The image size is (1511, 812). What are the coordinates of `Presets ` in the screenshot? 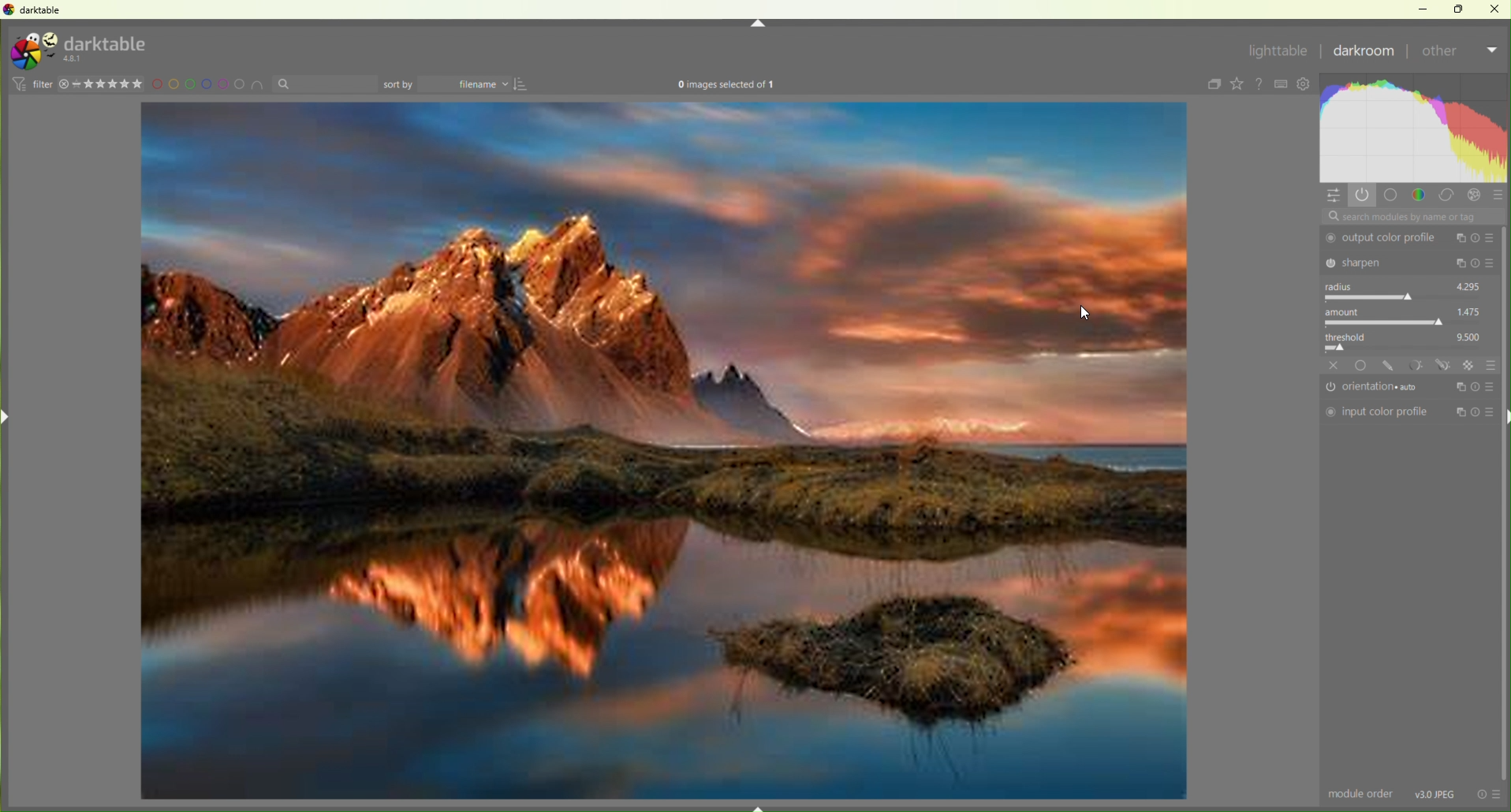 It's located at (1491, 364).